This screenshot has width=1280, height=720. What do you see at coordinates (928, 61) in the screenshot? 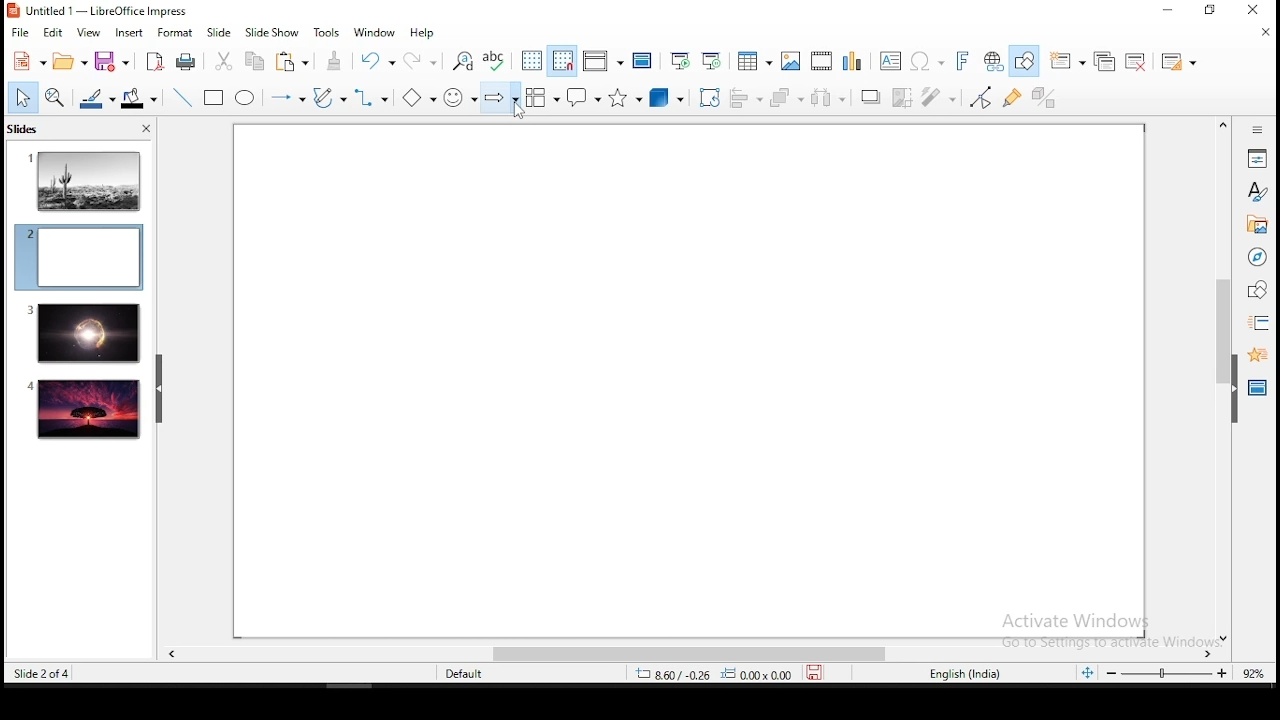
I see `special characters` at bounding box center [928, 61].